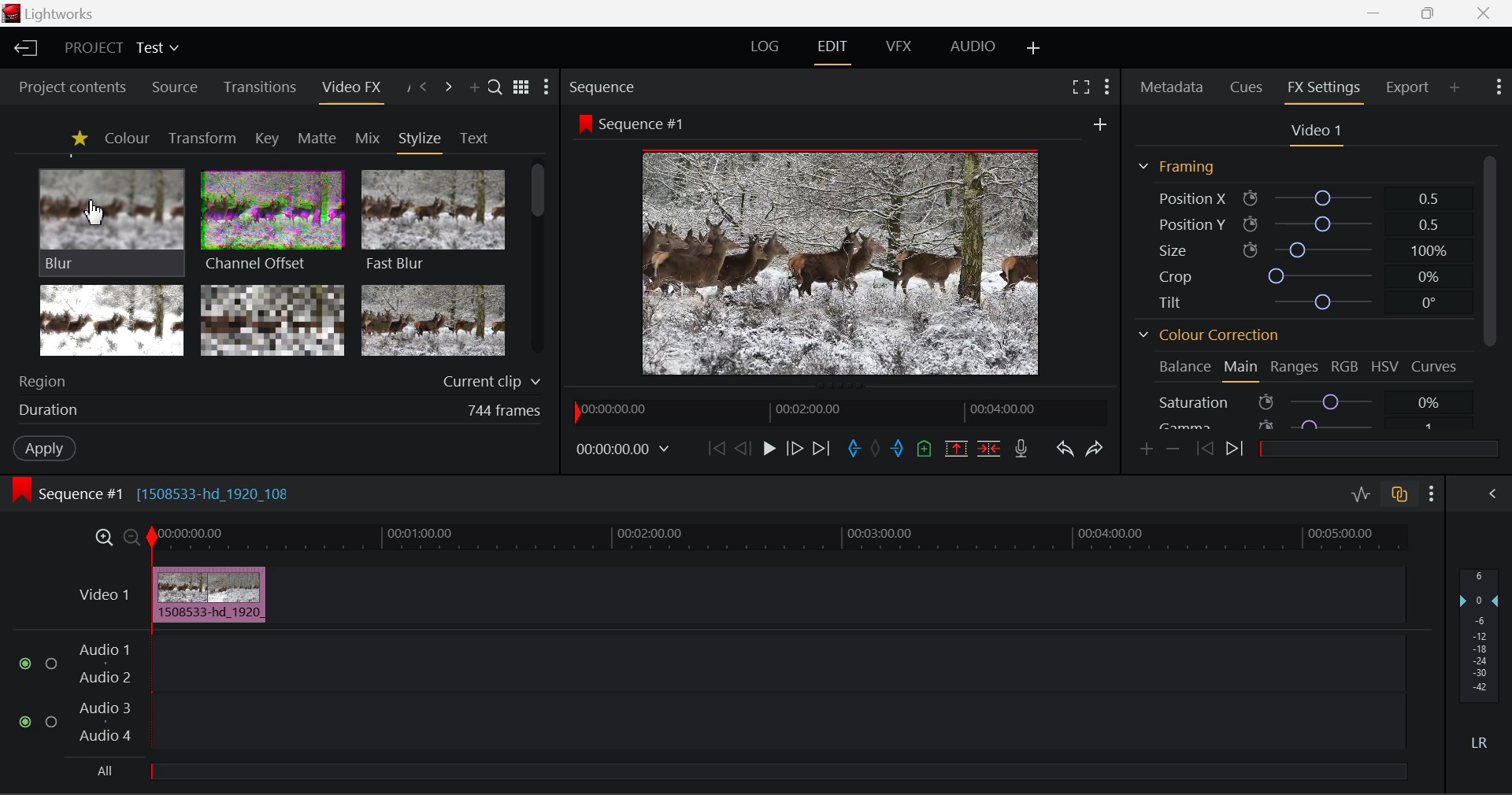 The height and width of the screenshot is (795, 1512). I want to click on Play, so click(767, 449).